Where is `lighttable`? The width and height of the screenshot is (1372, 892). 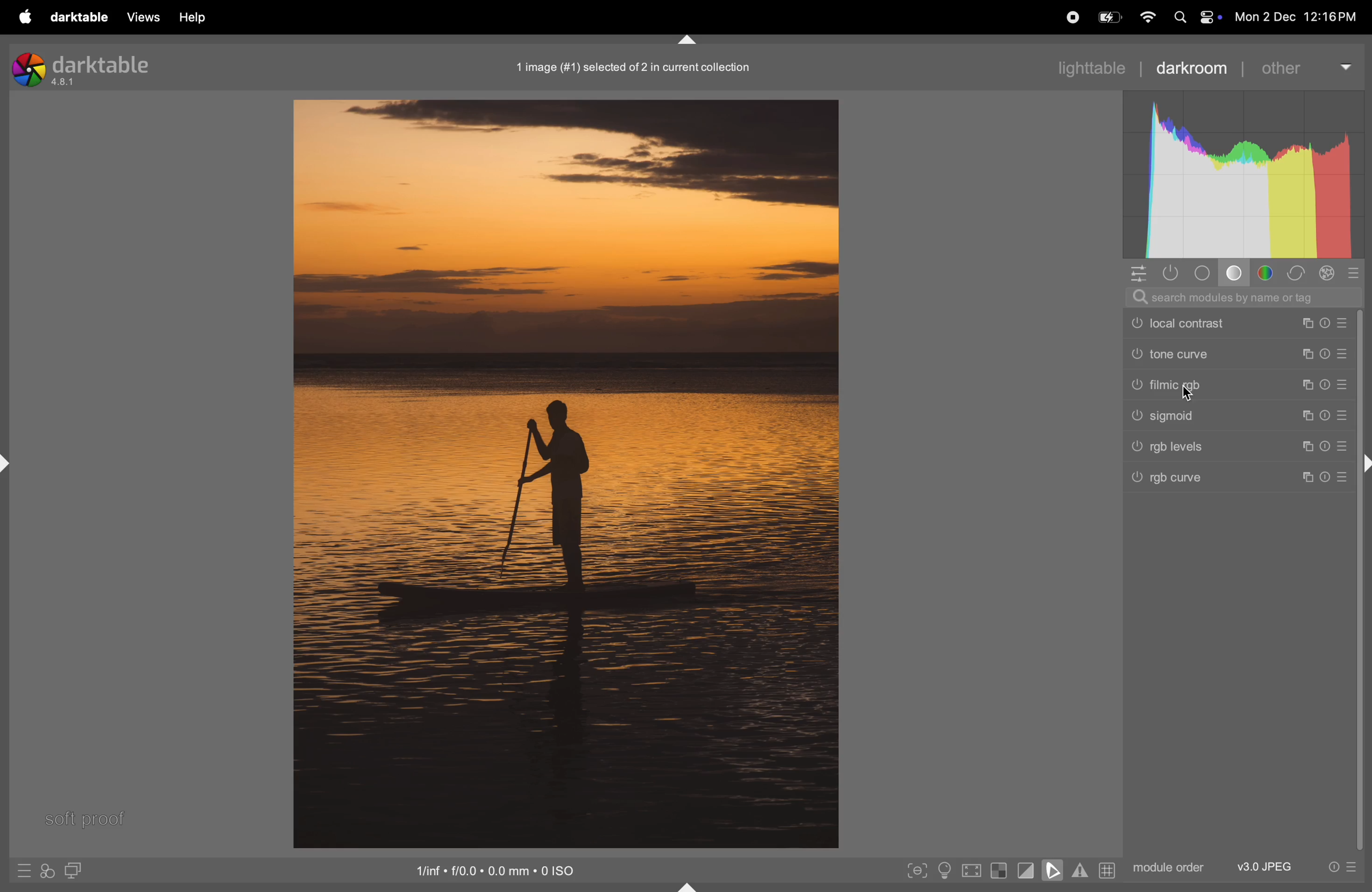
lighttable is located at coordinates (1090, 66).